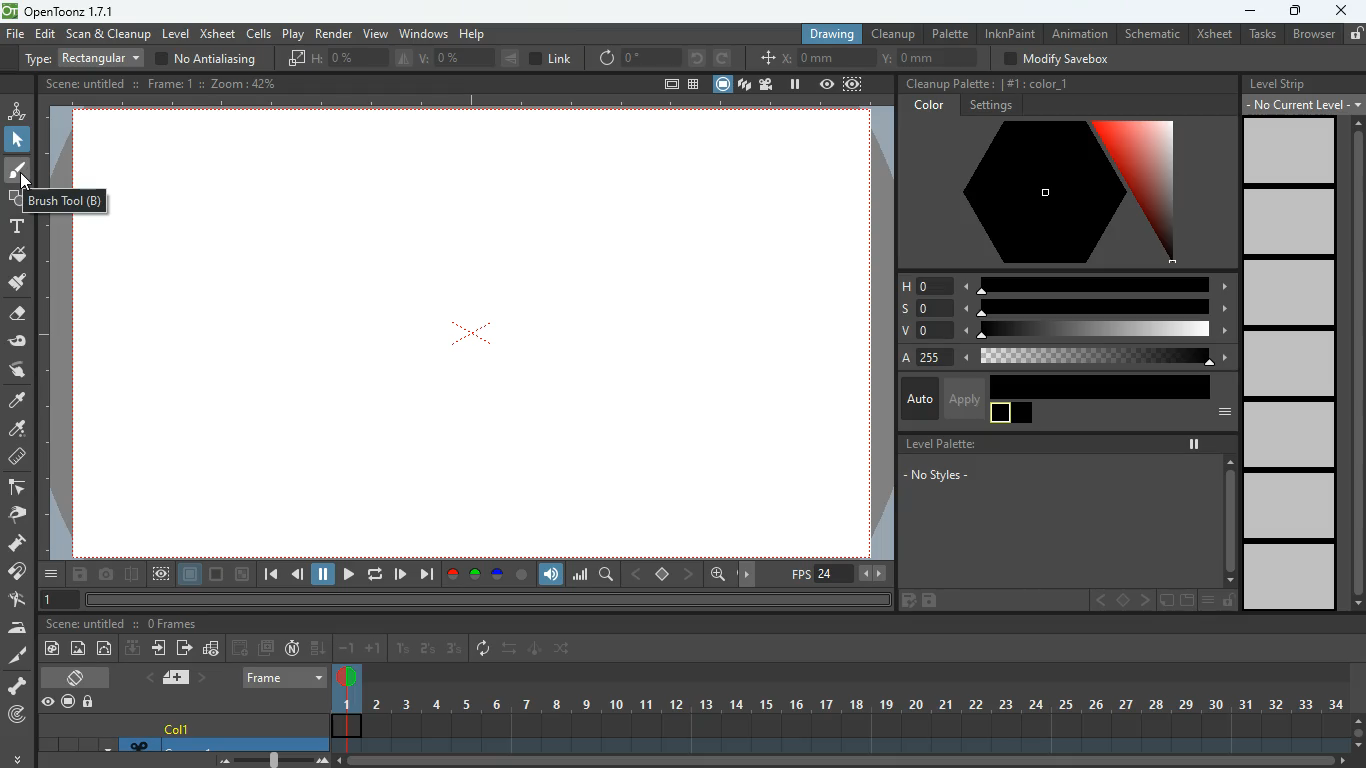  What do you see at coordinates (1290, 150) in the screenshot?
I see `level` at bounding box center [1290, 150].